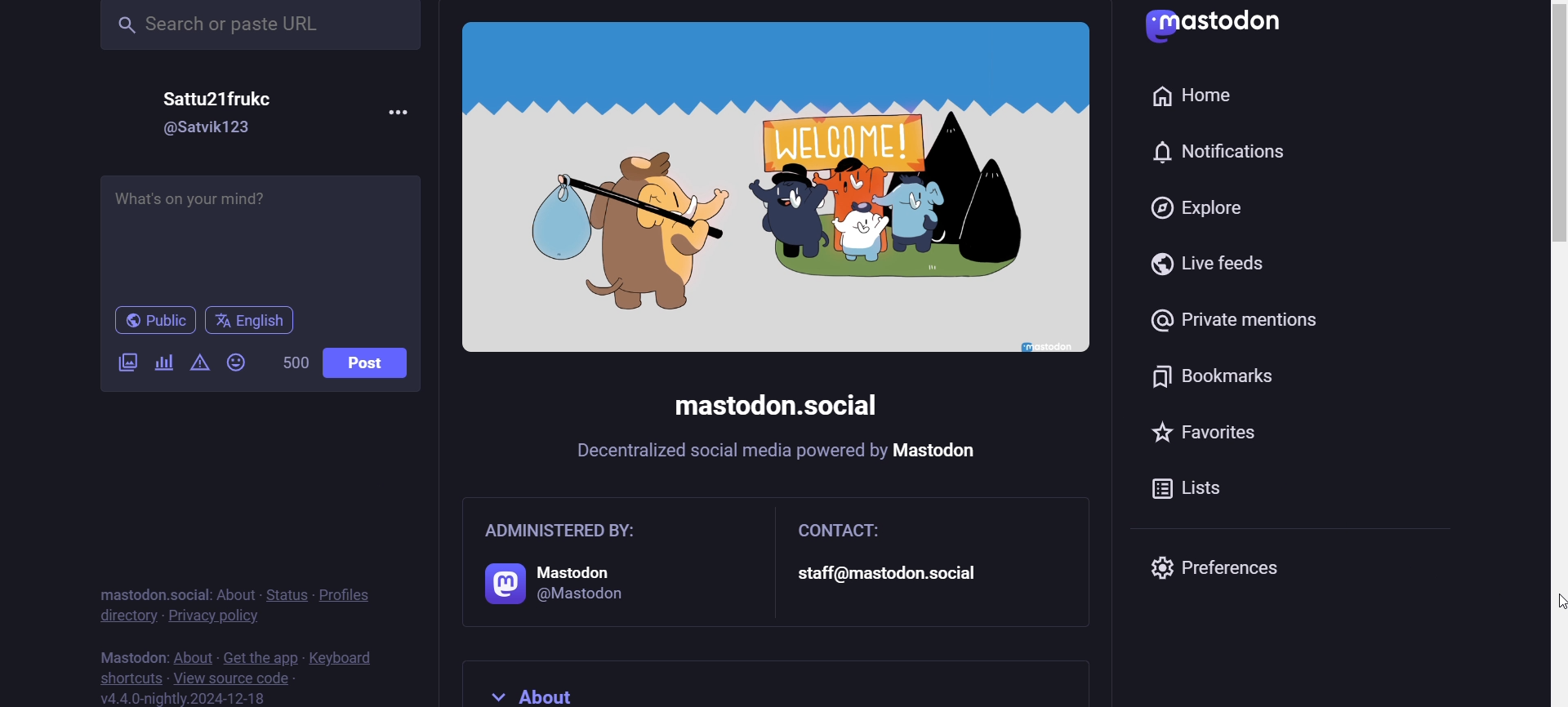  What do you see at coordinates (350, 657) in the screenshot?
I see `keyboard` at bounding box center [350, 657].